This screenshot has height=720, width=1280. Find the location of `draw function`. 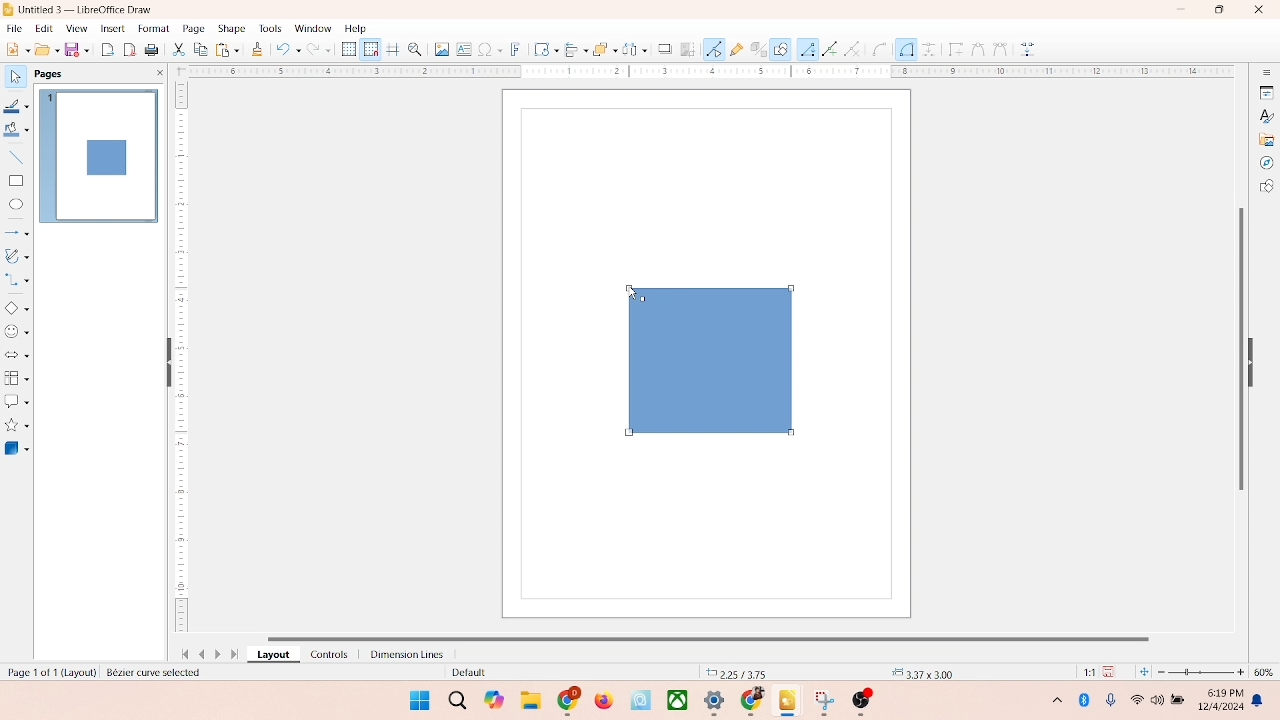

draw function is located at coordinates (781, 48).